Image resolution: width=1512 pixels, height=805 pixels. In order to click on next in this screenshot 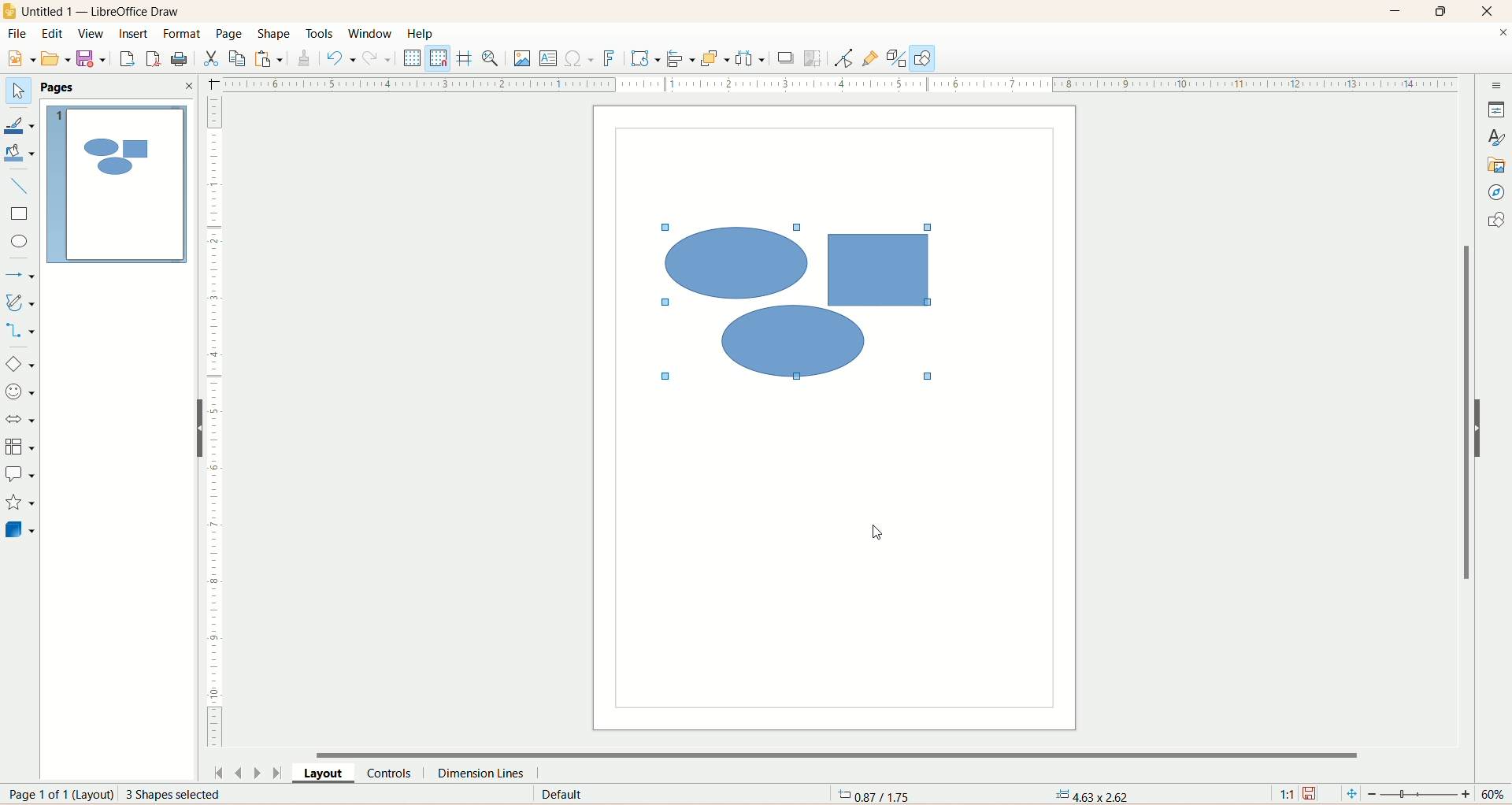, I will do `click(259, 773)`.